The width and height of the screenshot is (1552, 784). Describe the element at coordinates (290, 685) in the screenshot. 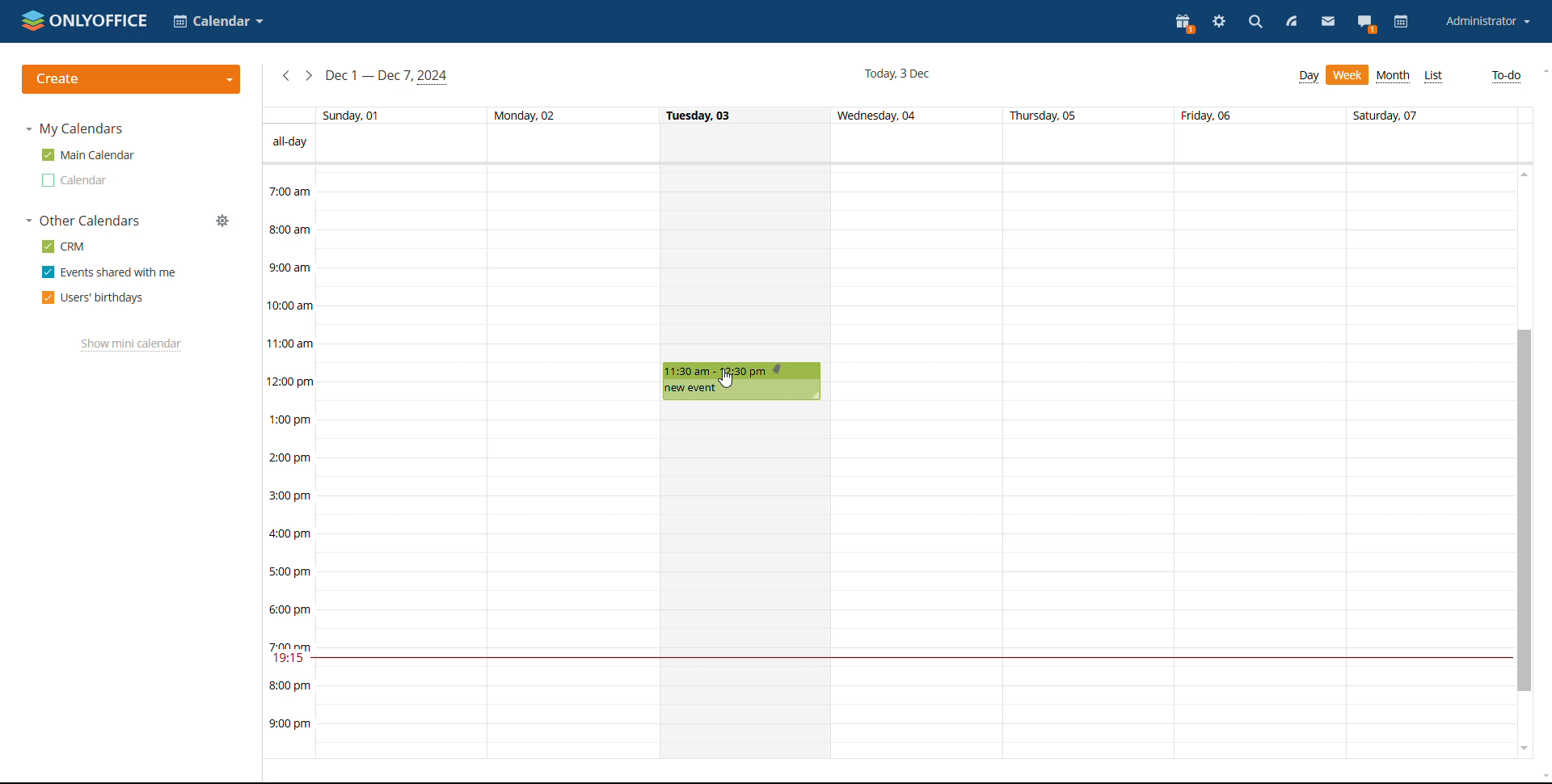

I see `8:00 pm` at that location.